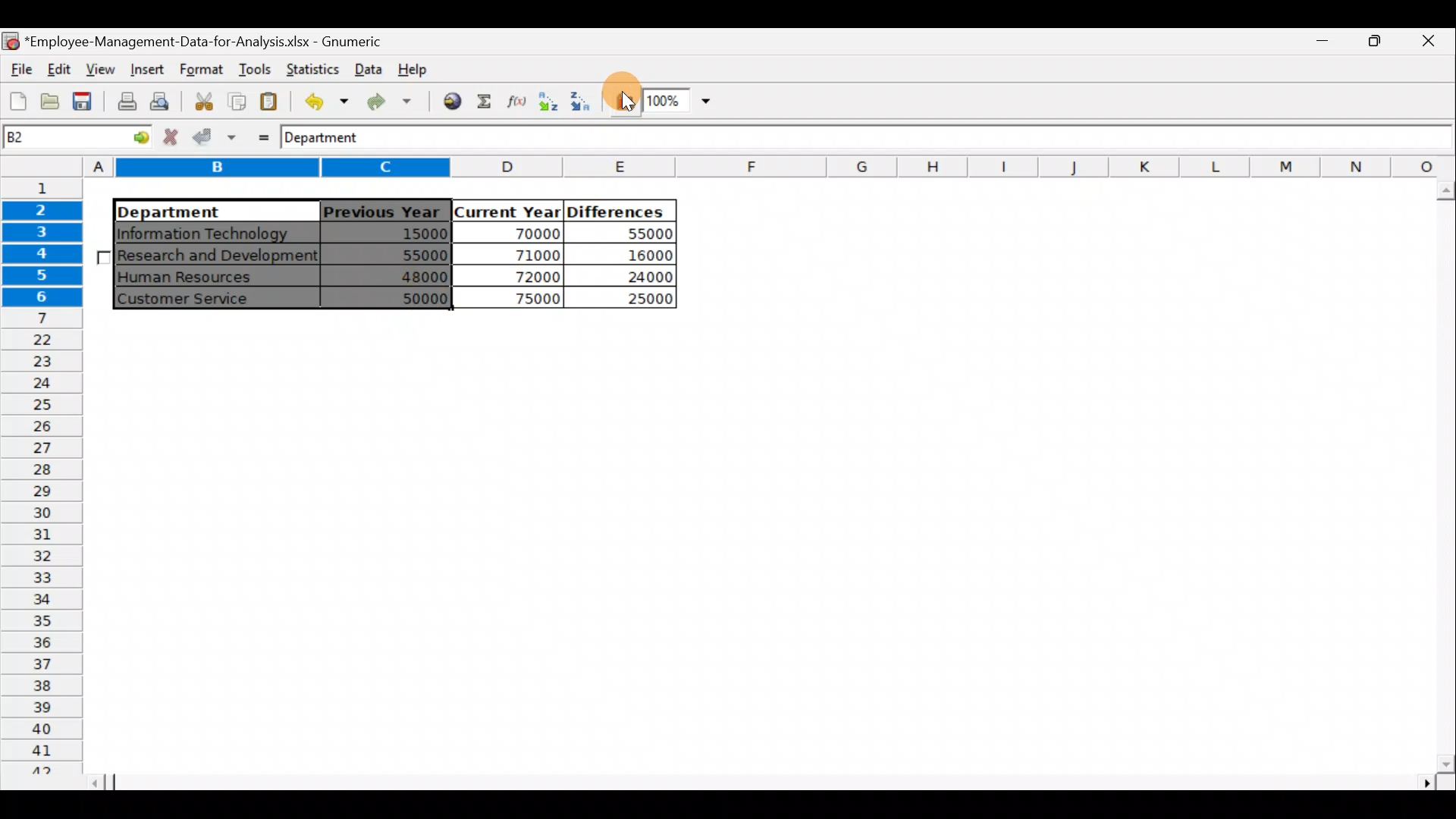  I want to click on Cell name B2, so click(51, 139).